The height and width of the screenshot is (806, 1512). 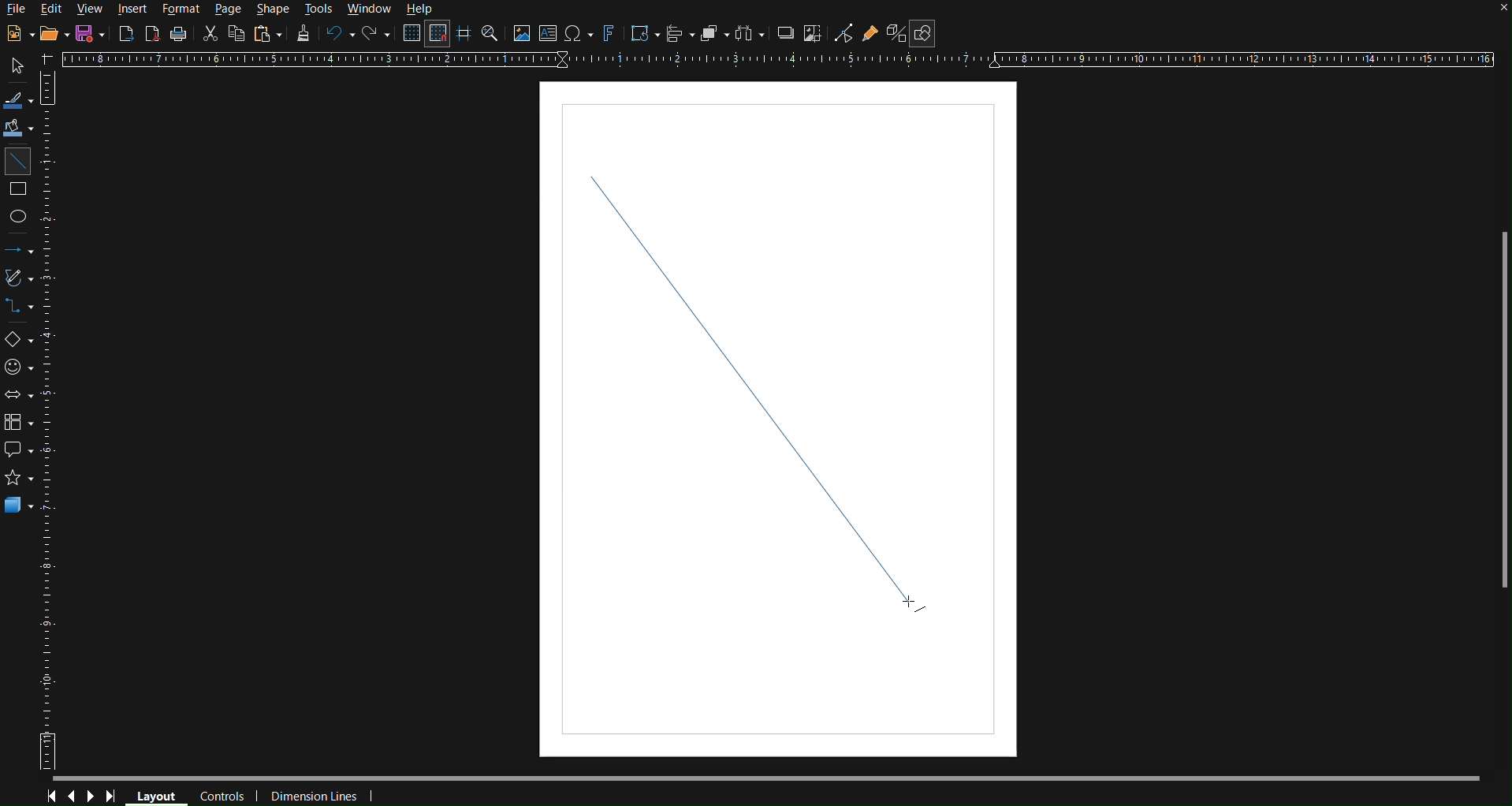 What do you see at coordinates (70, 795) in the screenshot?
I see `Previous` at bounding box center [70, 795].